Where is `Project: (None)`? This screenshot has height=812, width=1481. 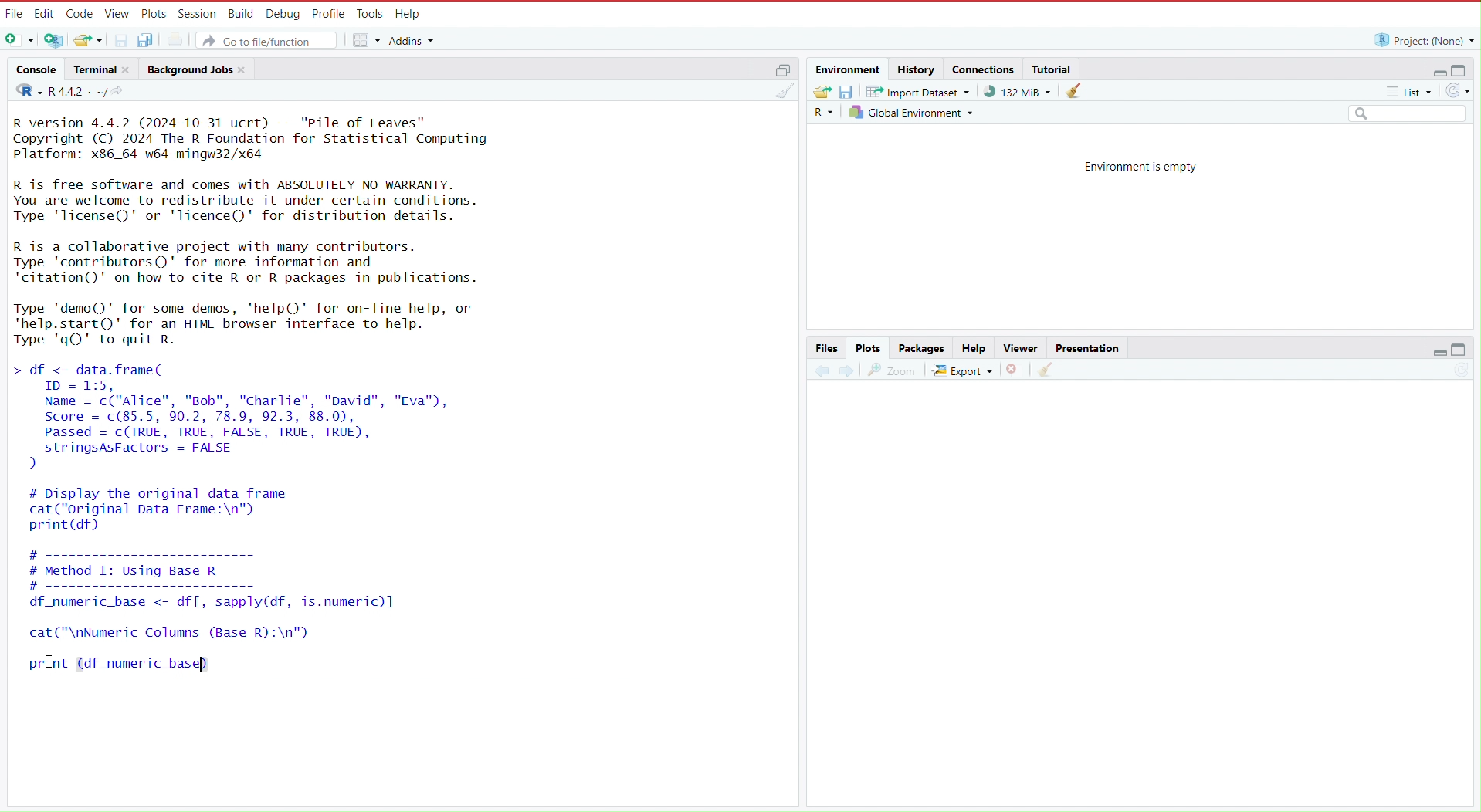
Project: (None) is located at coordinates (1421, 39).